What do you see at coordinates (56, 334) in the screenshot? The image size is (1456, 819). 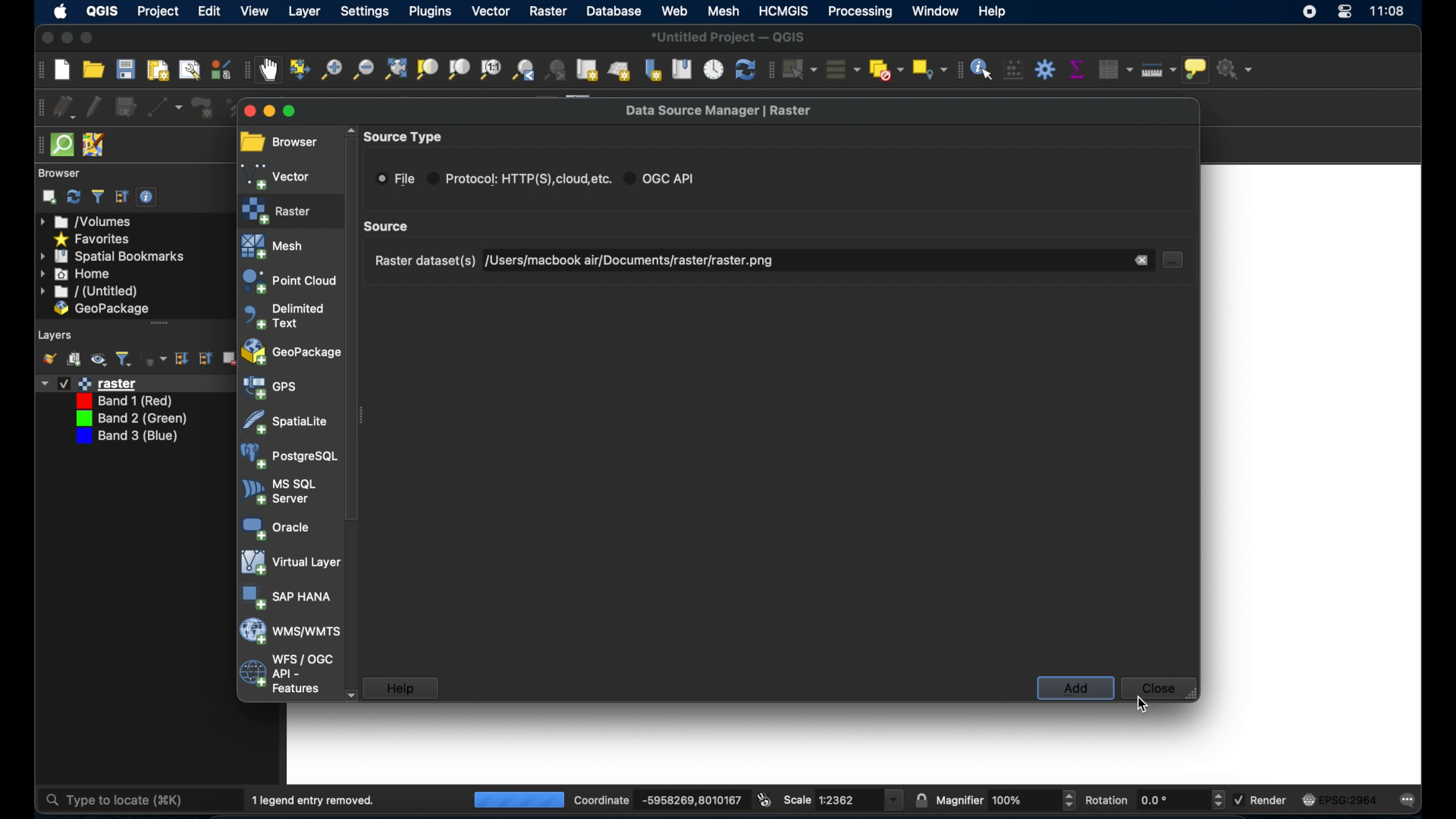 I see `layers` at bounding box center [56, 334].